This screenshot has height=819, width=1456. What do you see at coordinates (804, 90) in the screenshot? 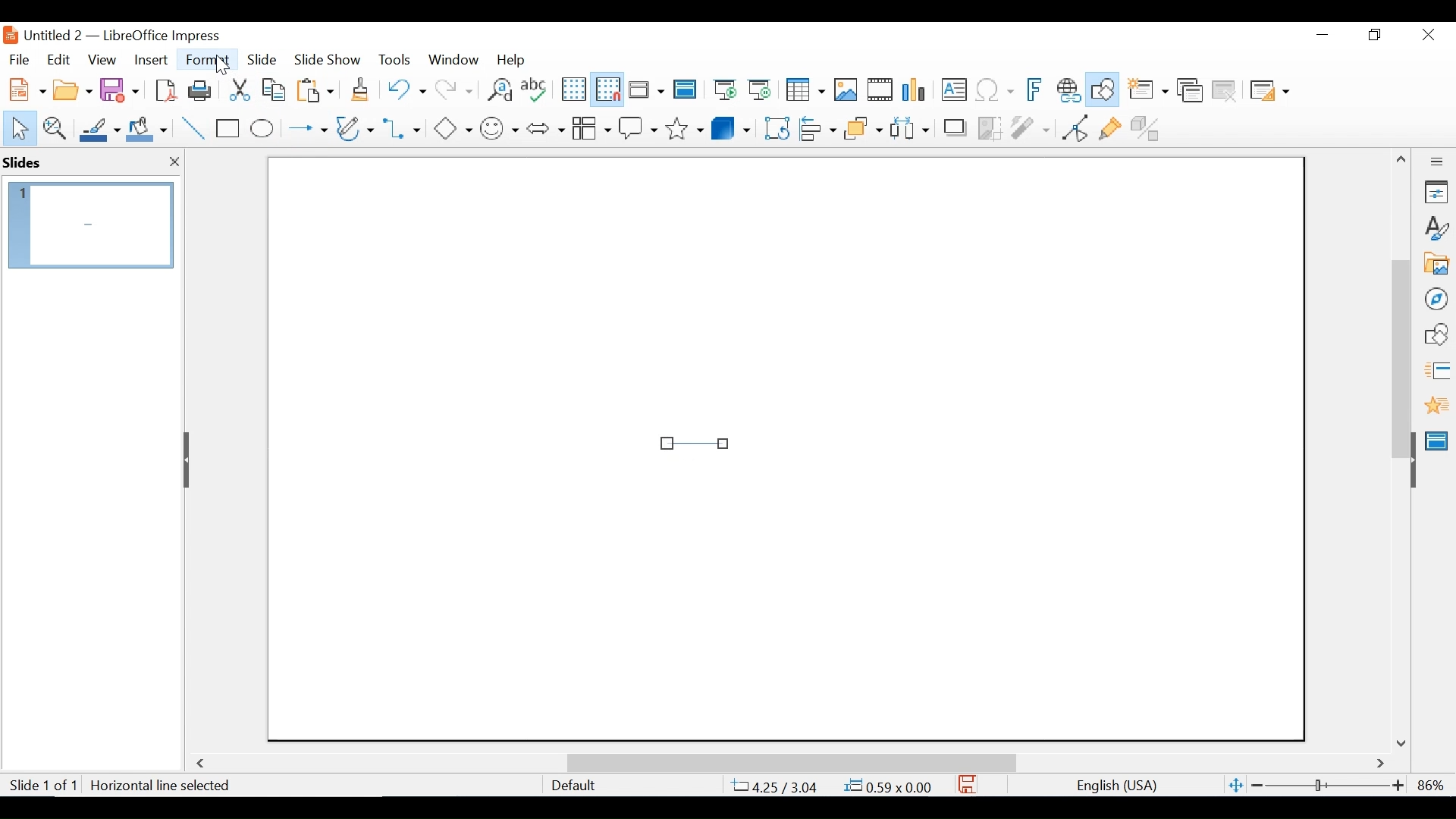
I see `Table` at bounding box center [804, 90].